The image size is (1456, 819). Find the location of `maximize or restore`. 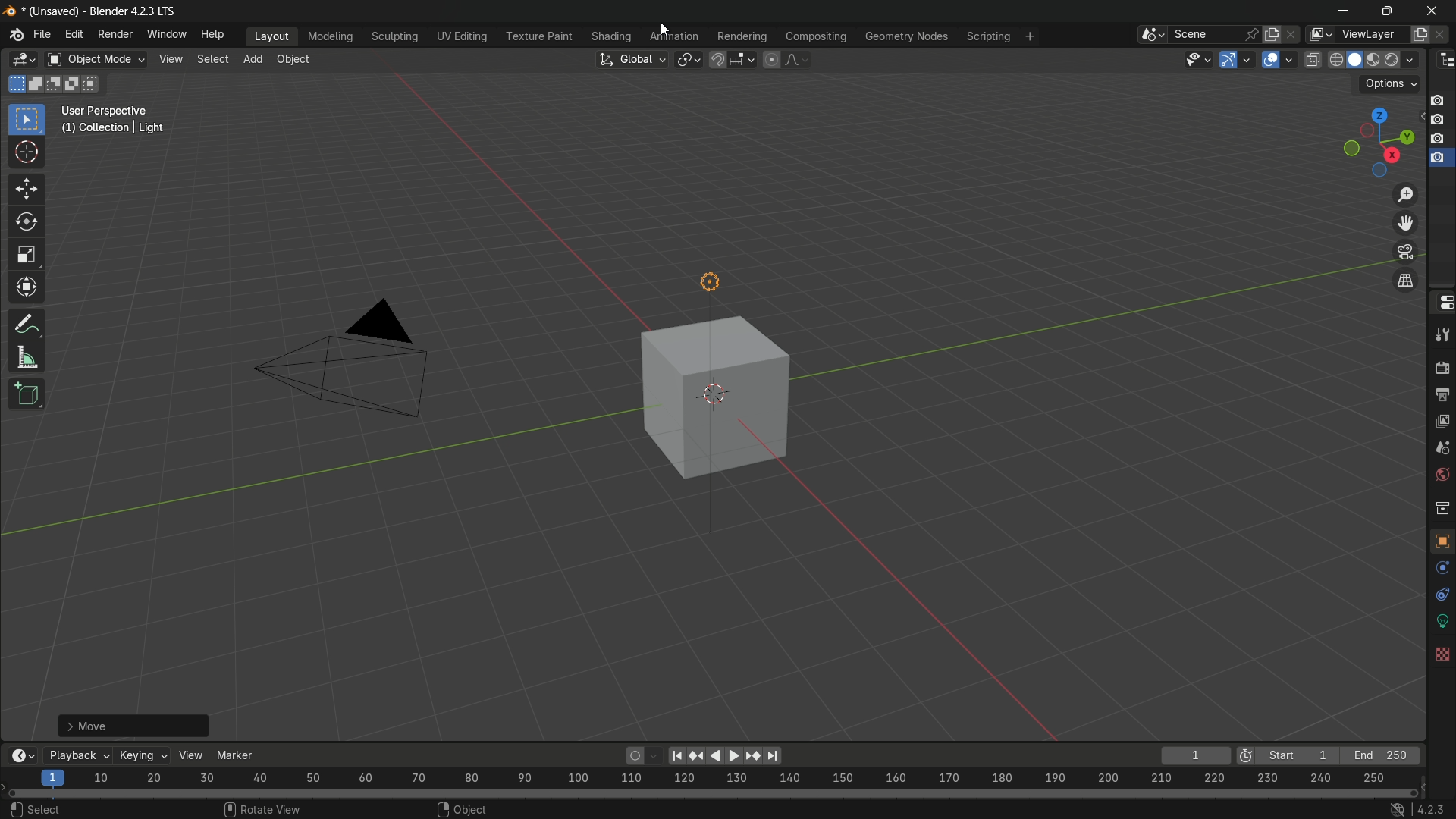

maximize or restore is located at coordinates (1386, 11).